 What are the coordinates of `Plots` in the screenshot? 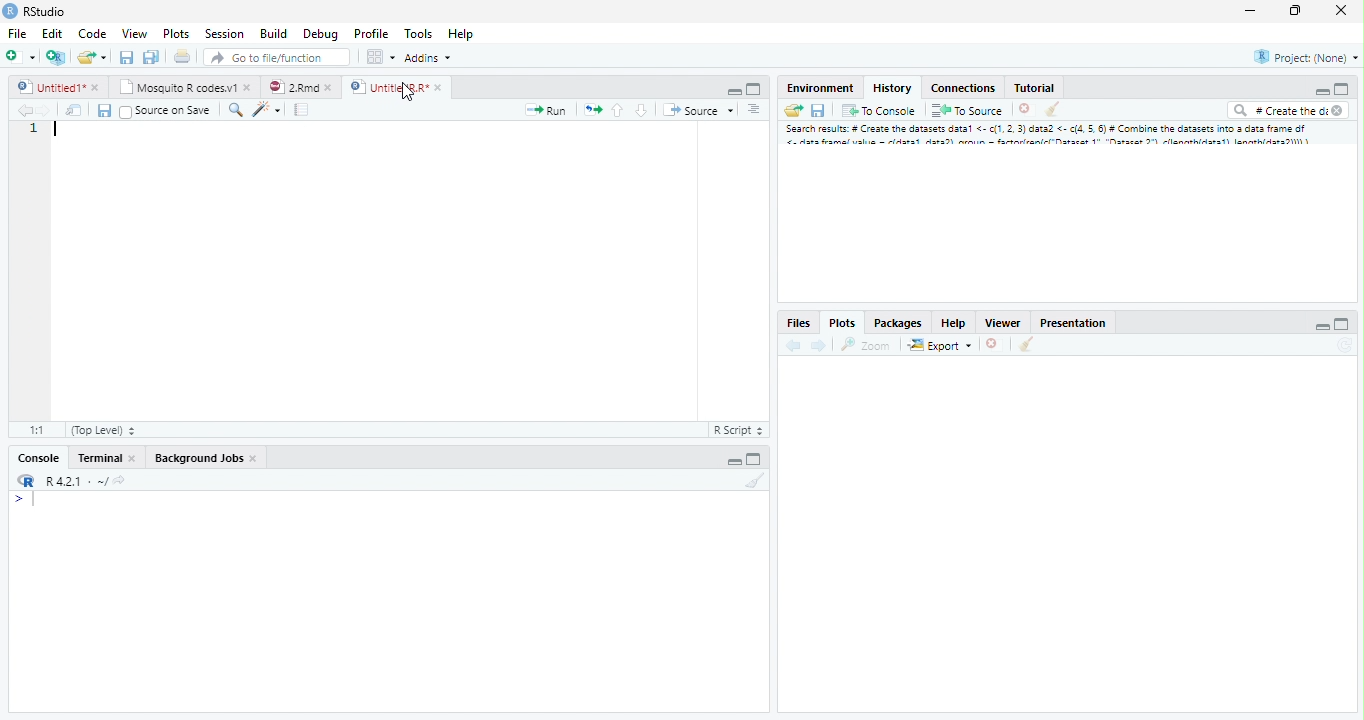 It's located at (841, 322).